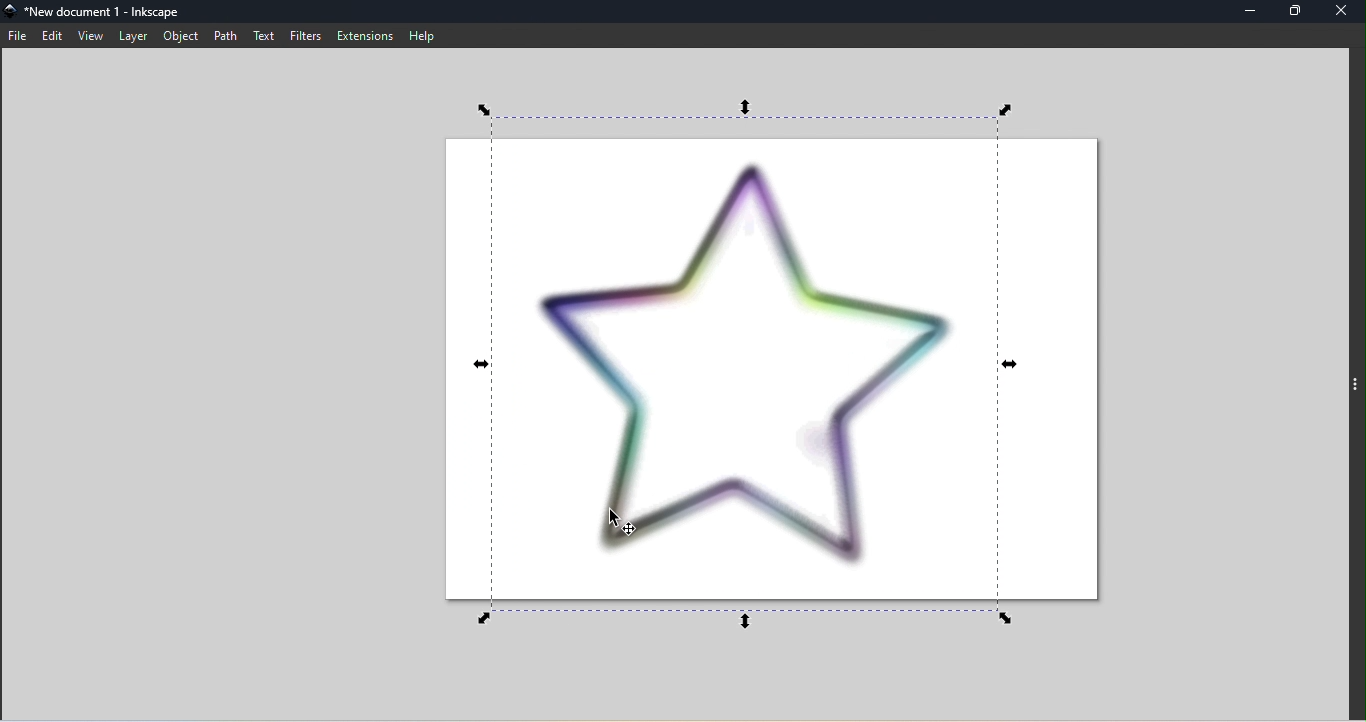 Image resolution: width=1366 pixels, height=722 pixels. What do you see at coordinates (132, 37) in the screenshot?
I see `Layer` at bounding box center [132, 37].